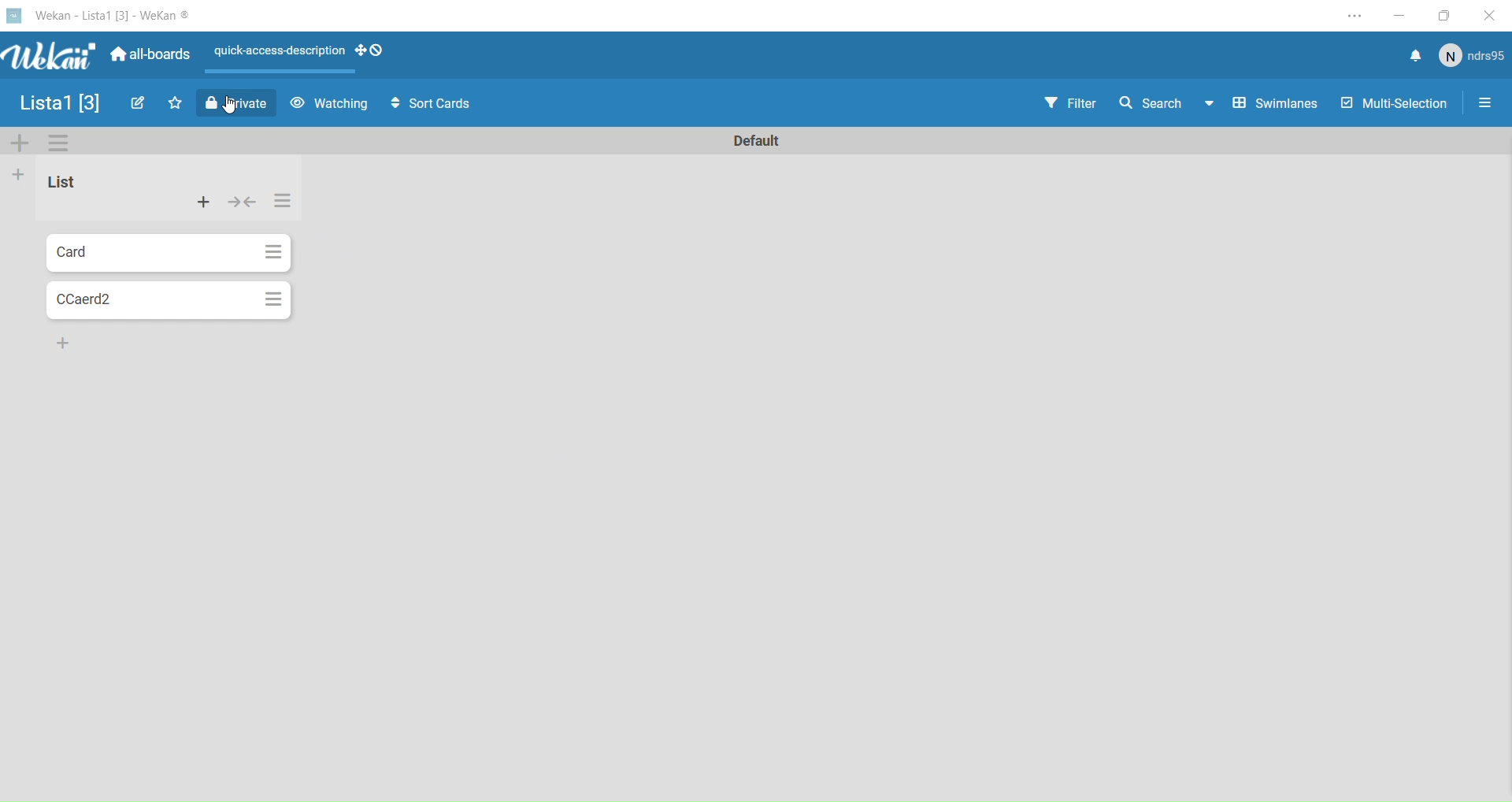 This screenshot has width=1512, height=802. I want to click on Text, so click(761, 142).